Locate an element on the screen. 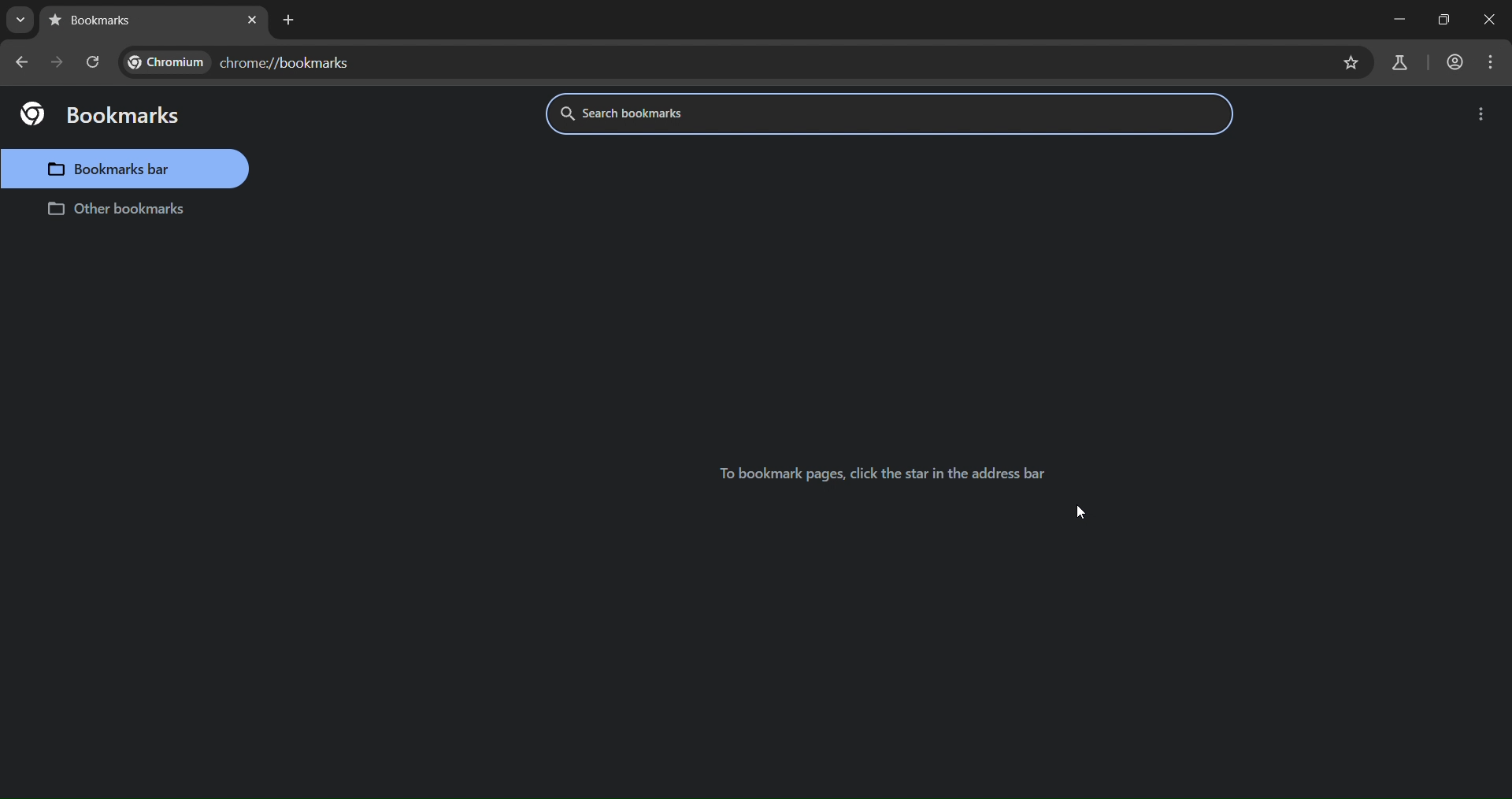 This screenshot has width=1512, height=799. To bookmark pages, click the star in the address bar is located at coordinates (886, 473).